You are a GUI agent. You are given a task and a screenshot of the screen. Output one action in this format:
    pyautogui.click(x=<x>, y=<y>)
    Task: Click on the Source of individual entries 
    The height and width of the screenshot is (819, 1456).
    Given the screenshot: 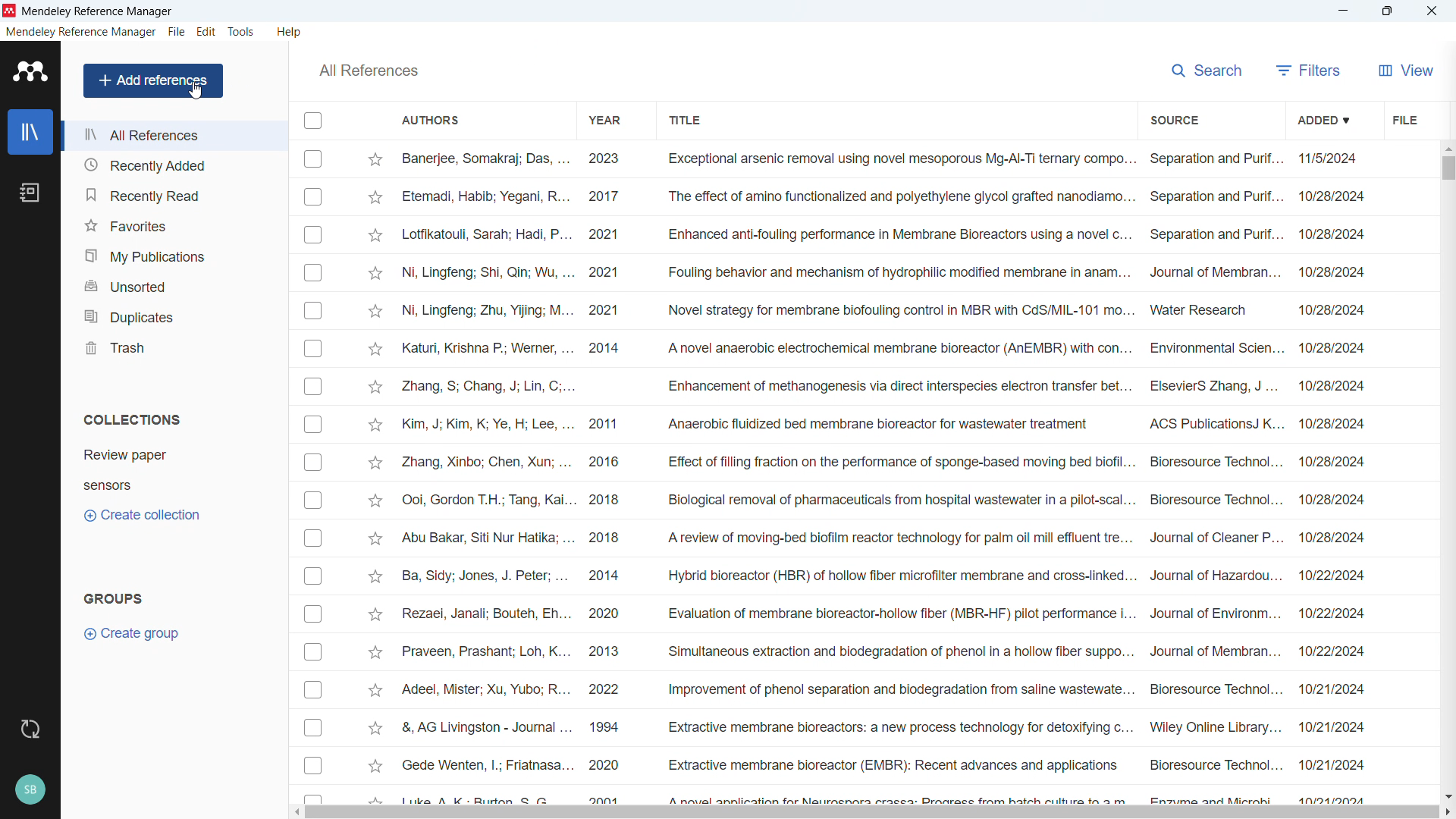 What is the action you would take?
    pyautogui.click(x=1214, y=475)
    